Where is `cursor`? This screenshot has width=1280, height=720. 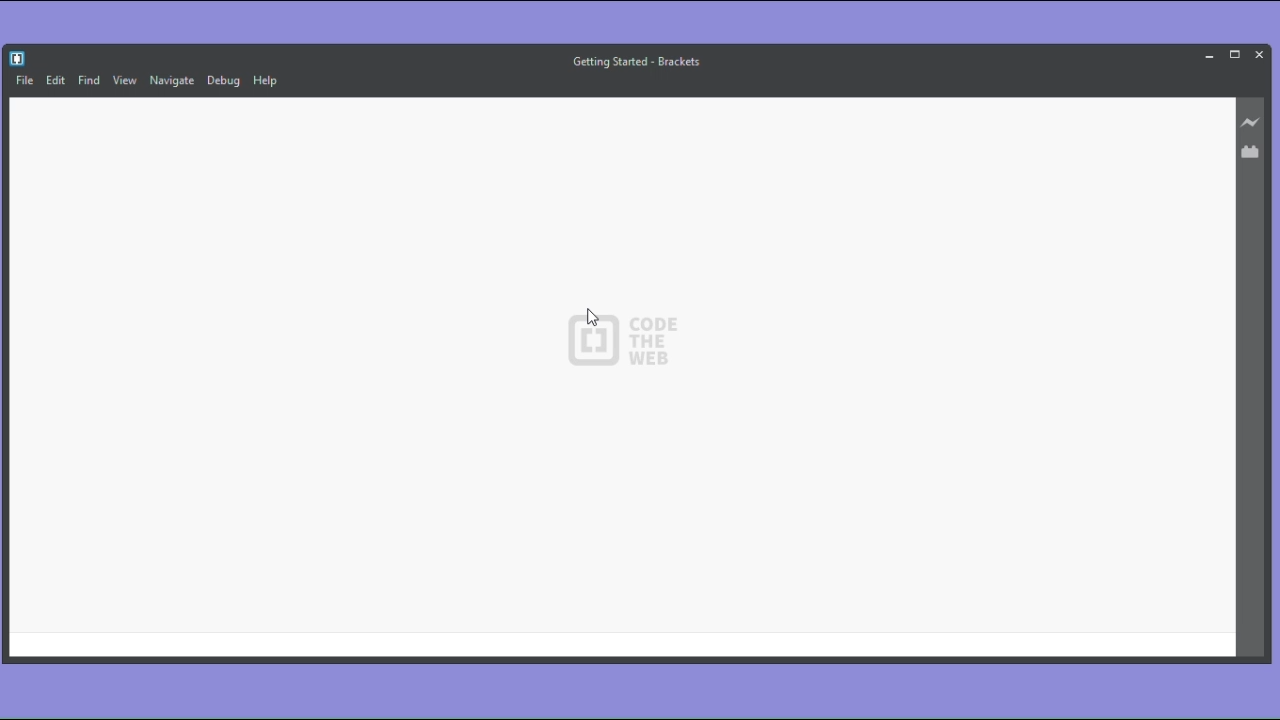 cursor is located at coordinates (594, 317).